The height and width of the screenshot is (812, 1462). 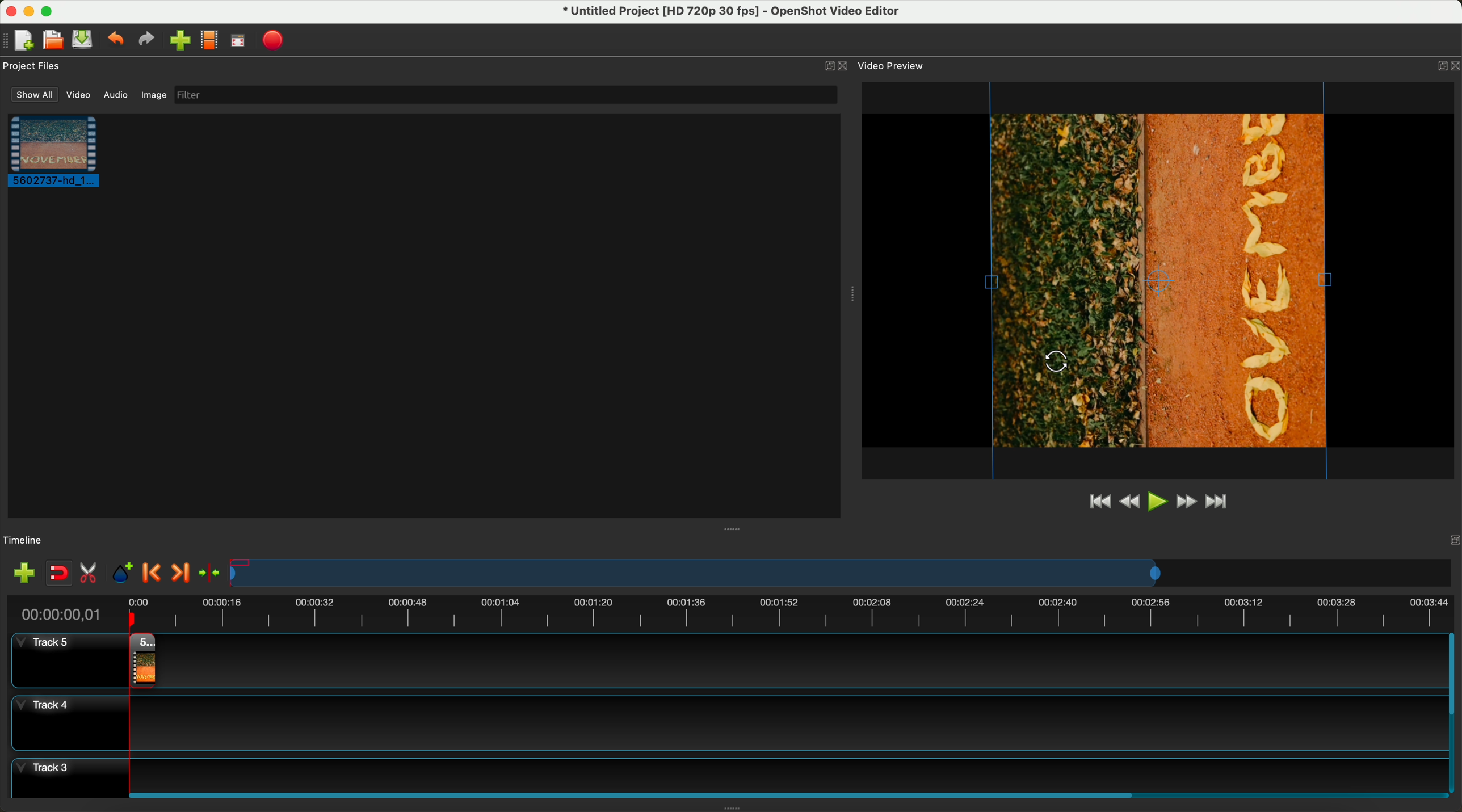 What do you see at coordinates (24, 541) in the screenshot?
I see `timeline` at bounding box center [24, 541].